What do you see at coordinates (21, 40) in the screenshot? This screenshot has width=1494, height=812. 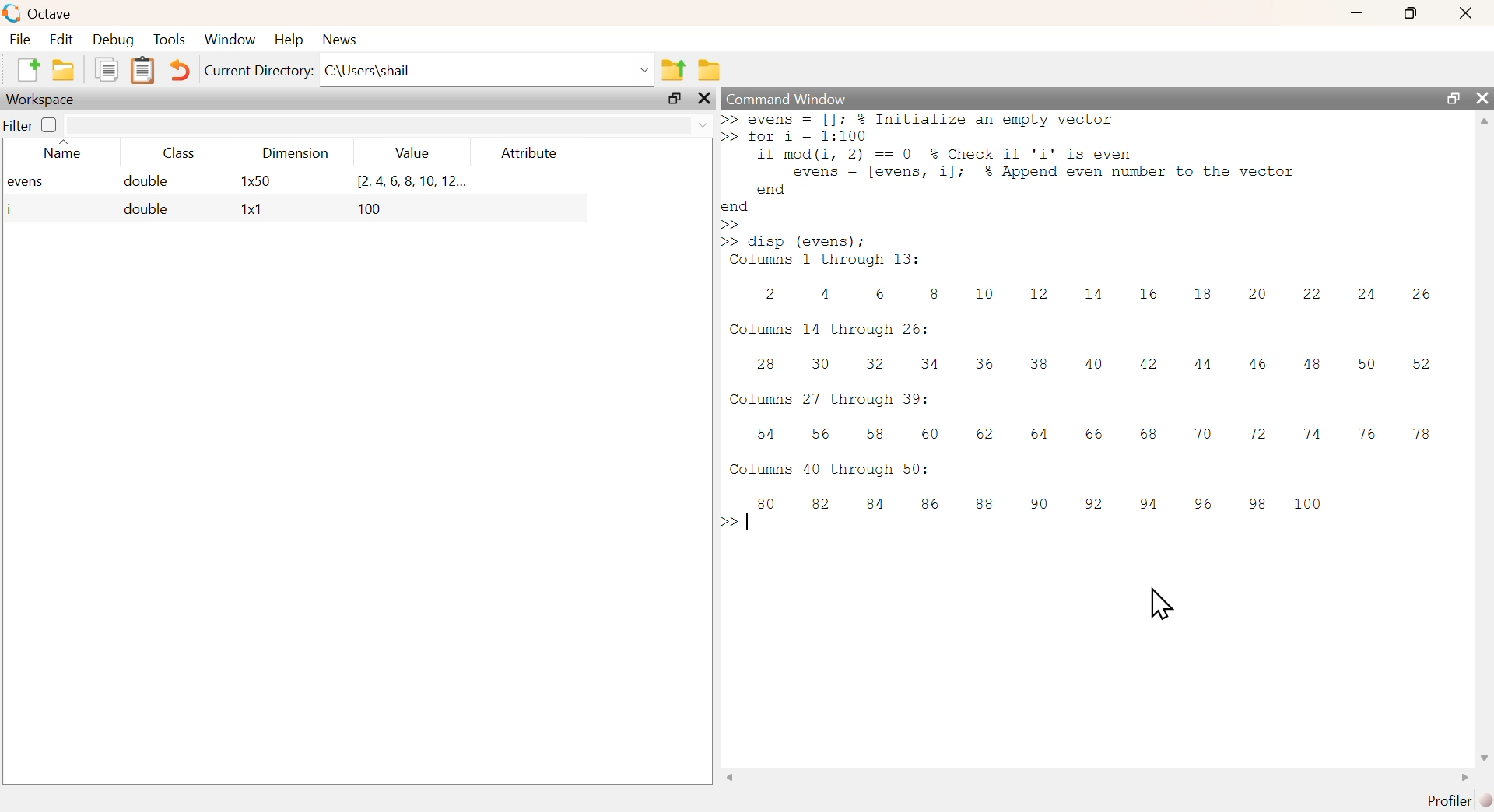 I see `file` at bounding box center [21, 40].